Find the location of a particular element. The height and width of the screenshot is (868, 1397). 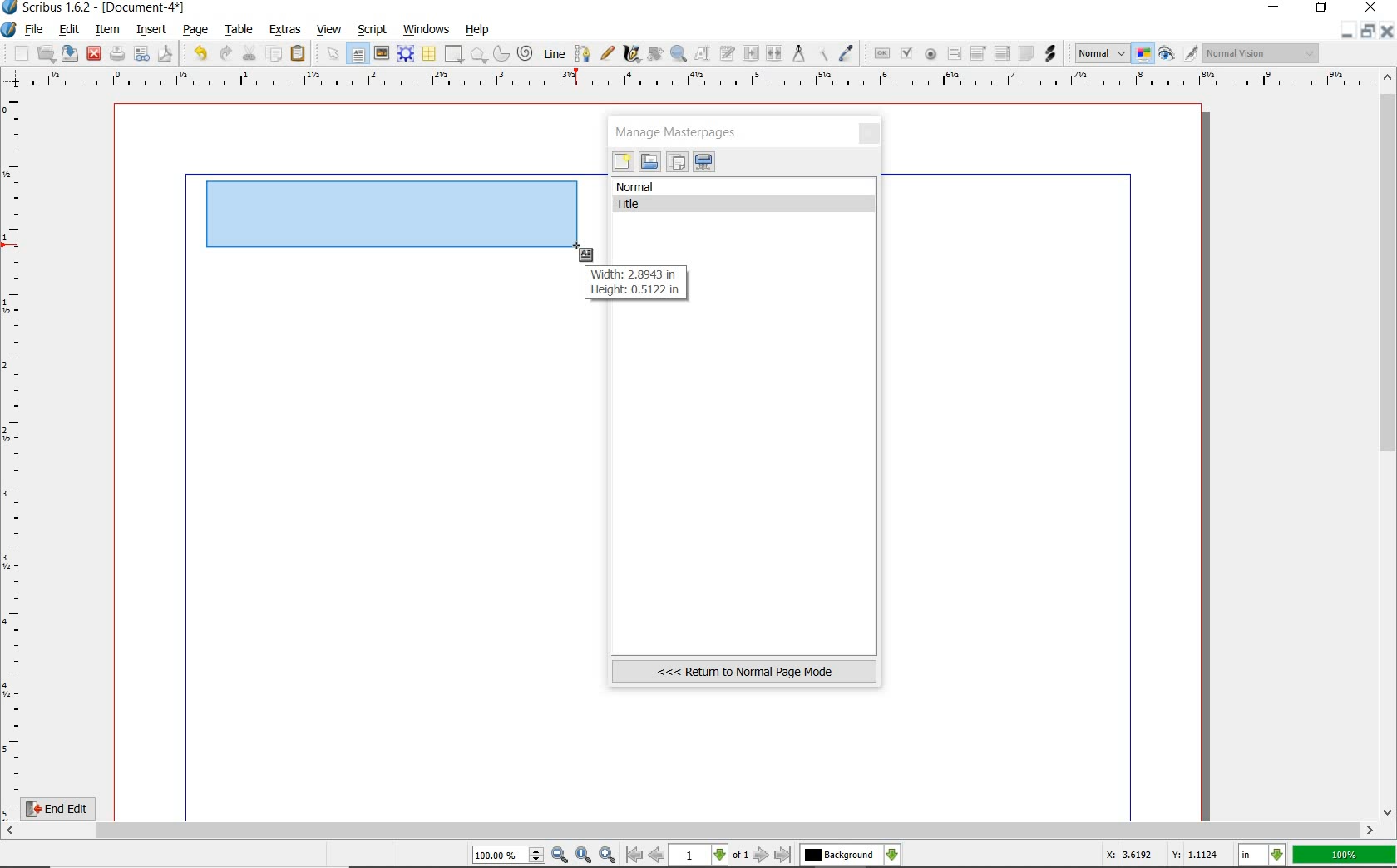

1 is located at coordinates (699, 856).